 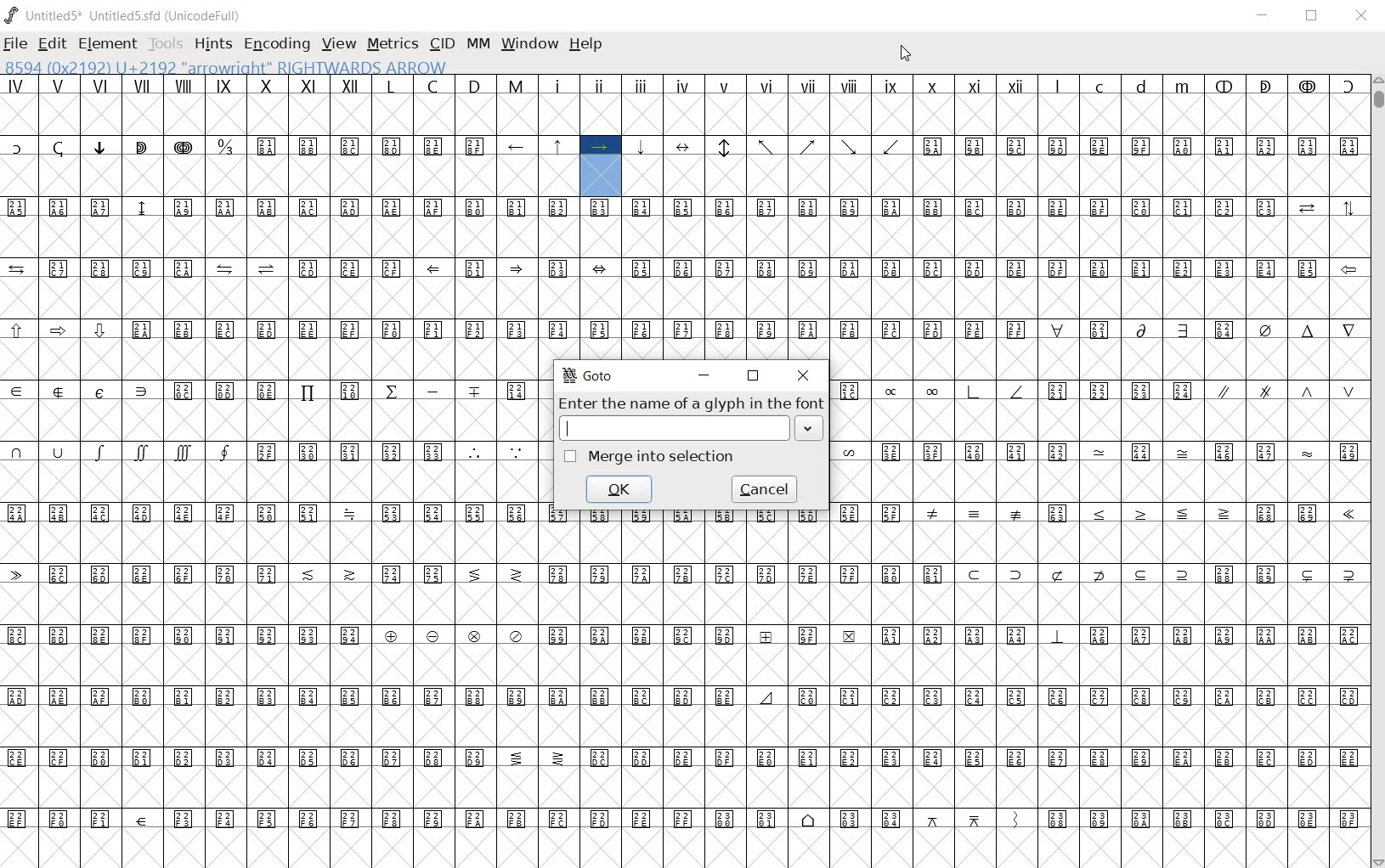 What do you see at coordinates (905, 56) in the screenshot?
I see `CURSOR` at bounding box center [905, 56].